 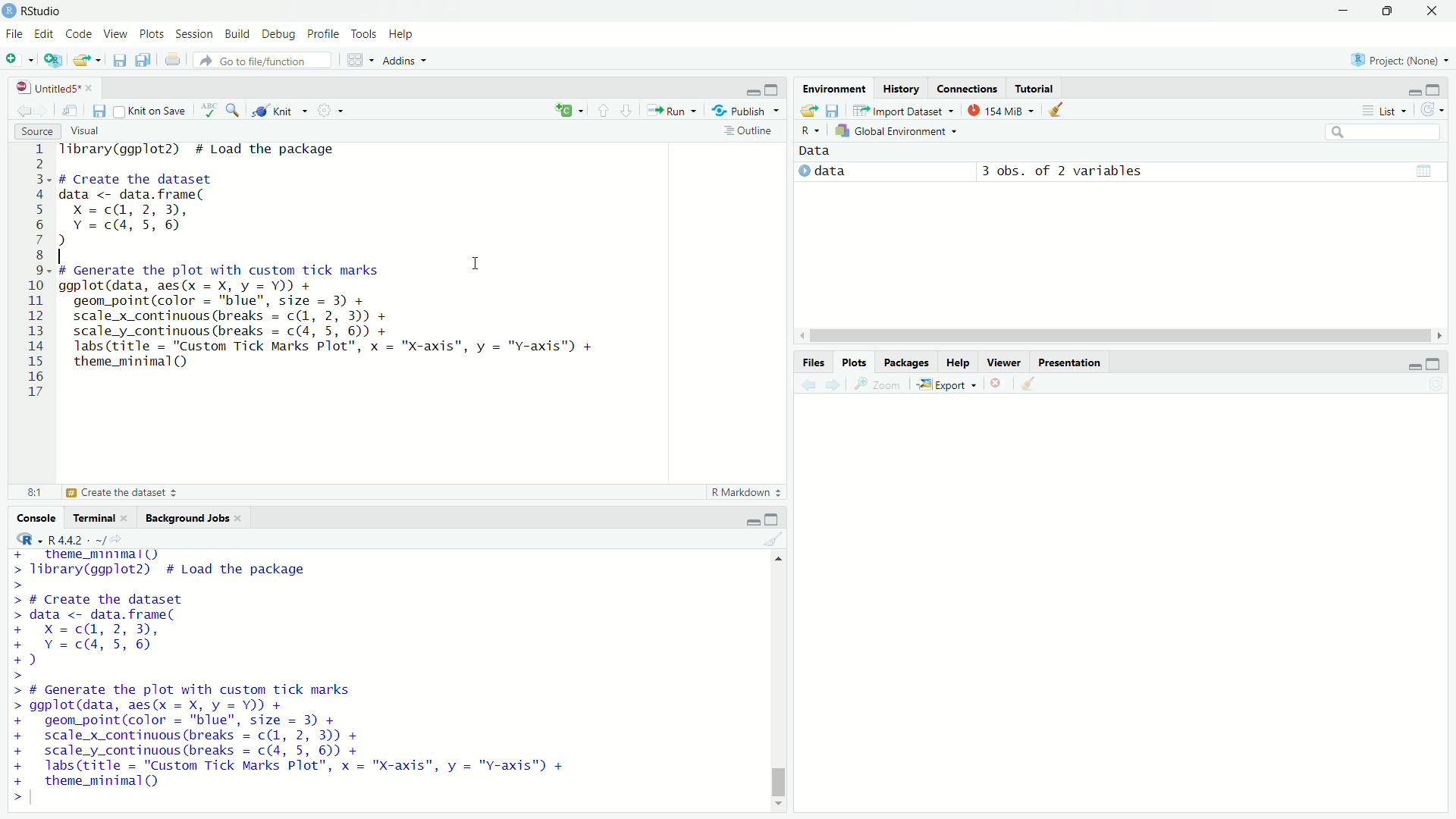 What do you see at coordinates (280, 34) in the screenshot?
I see `debug` at bounding box center [280, 34].